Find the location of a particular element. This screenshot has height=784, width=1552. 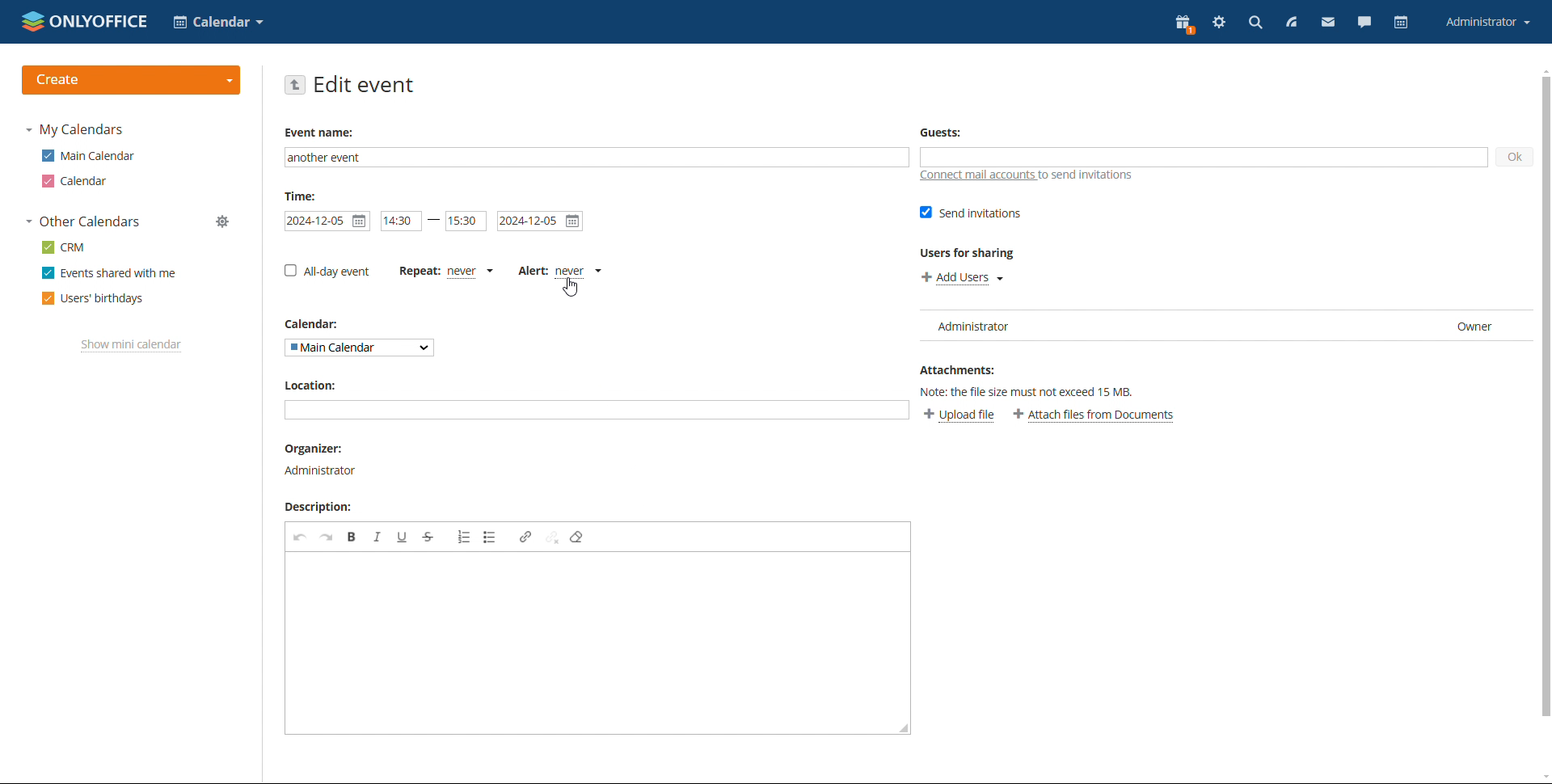

start time is located at coordinates (402, 221).